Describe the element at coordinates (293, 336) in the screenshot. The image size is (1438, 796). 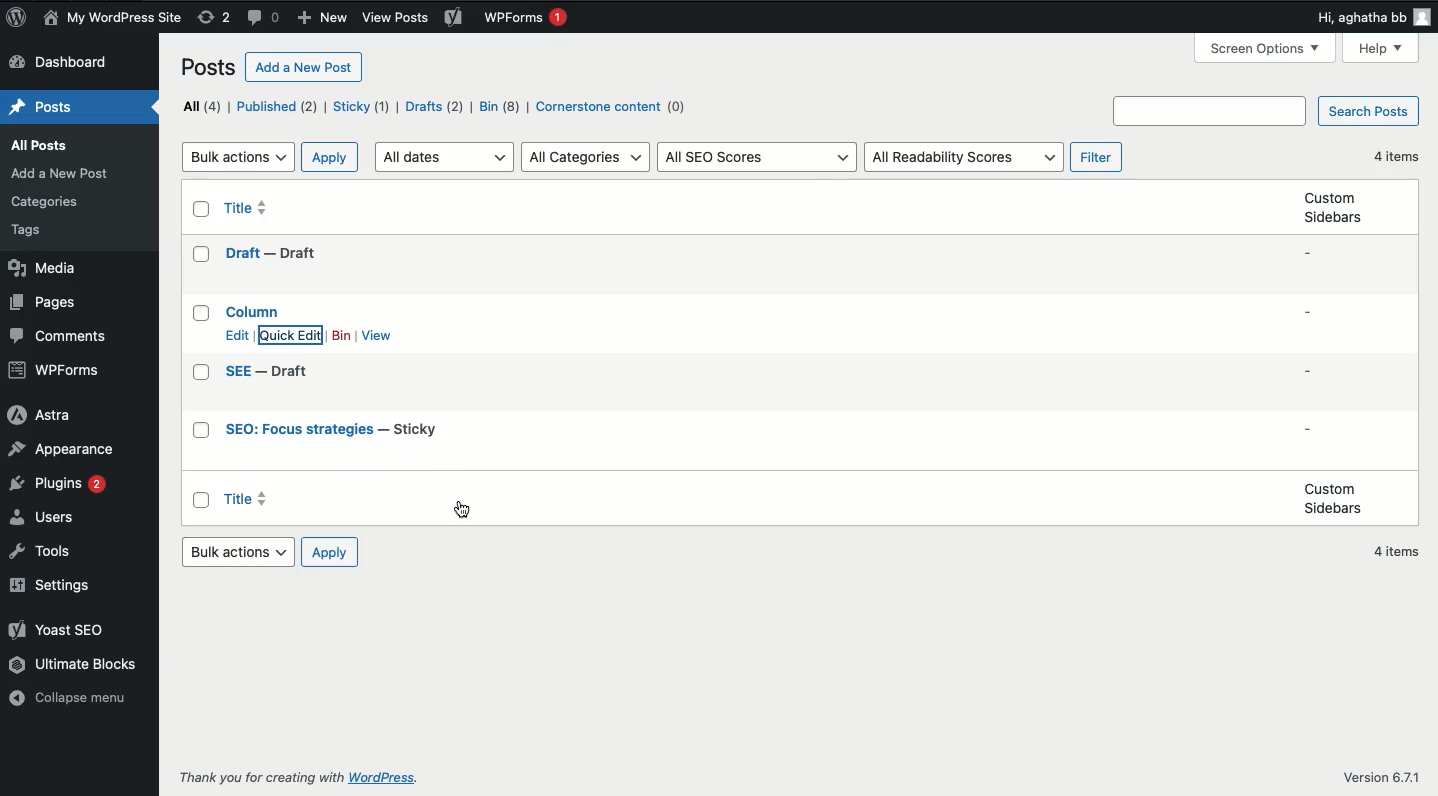
I see `Quick edit` at that location.